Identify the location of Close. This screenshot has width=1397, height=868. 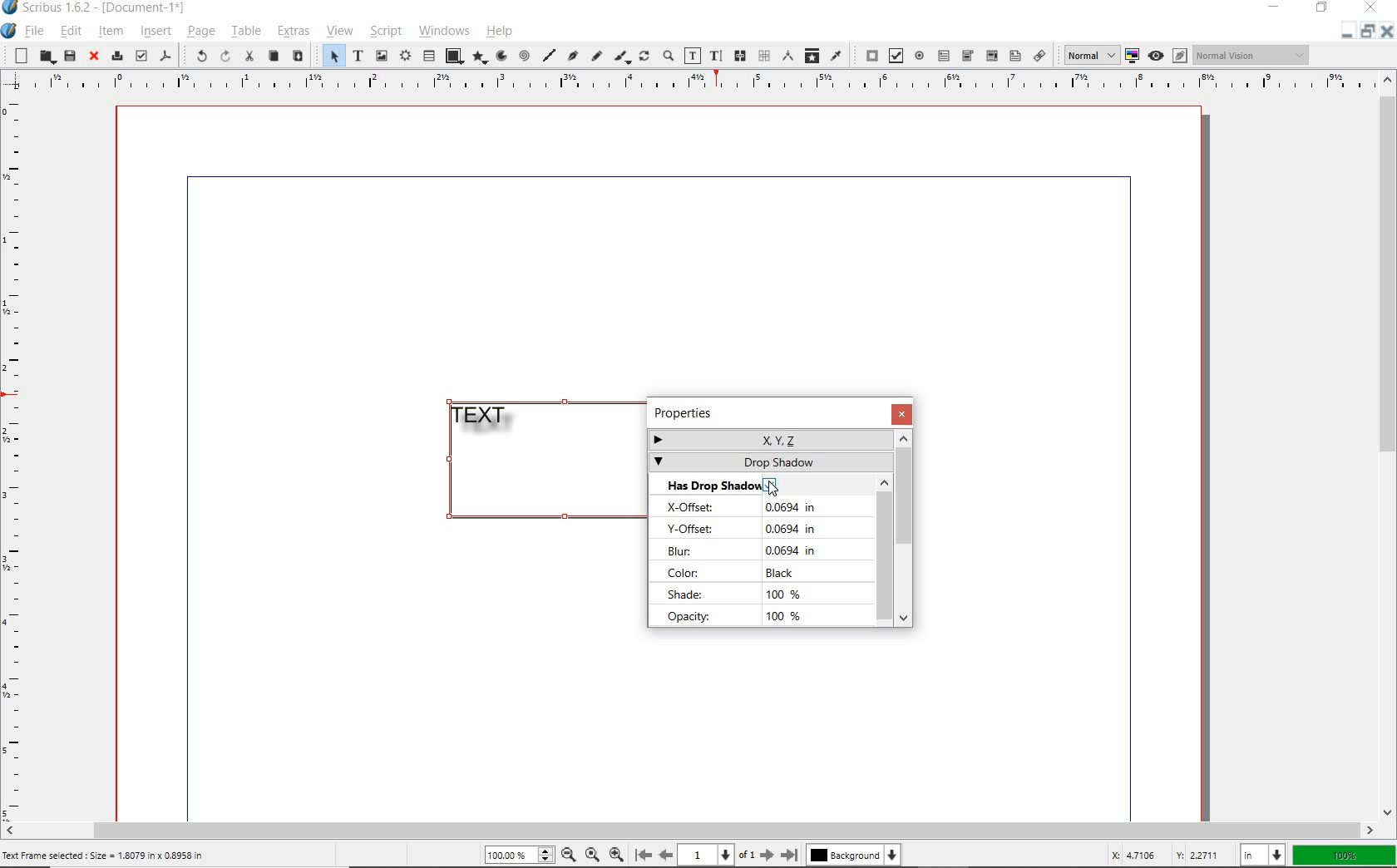
(1386, 32).